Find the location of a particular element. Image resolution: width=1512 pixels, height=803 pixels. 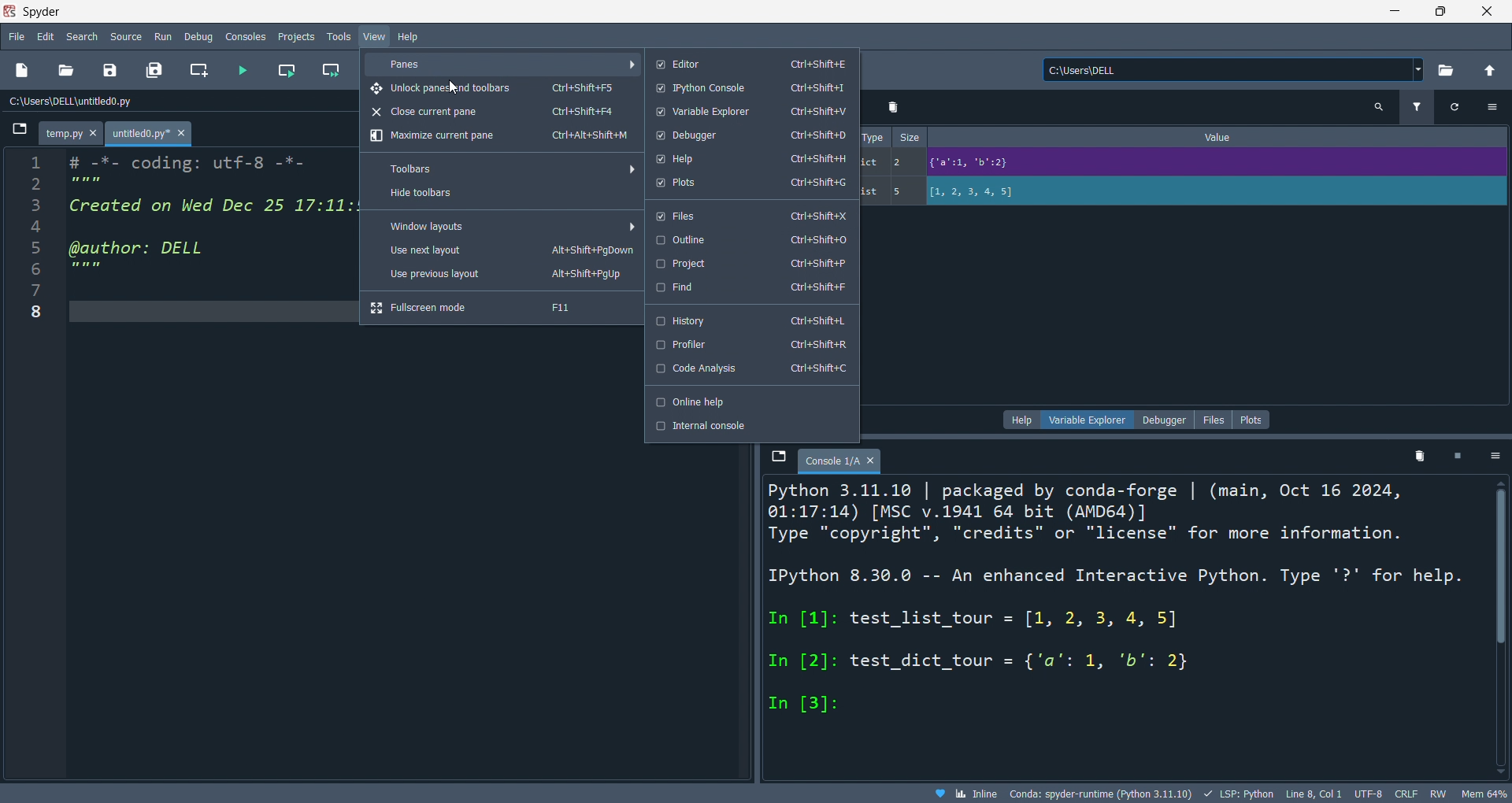

value is located at coordinates (1223, 137).